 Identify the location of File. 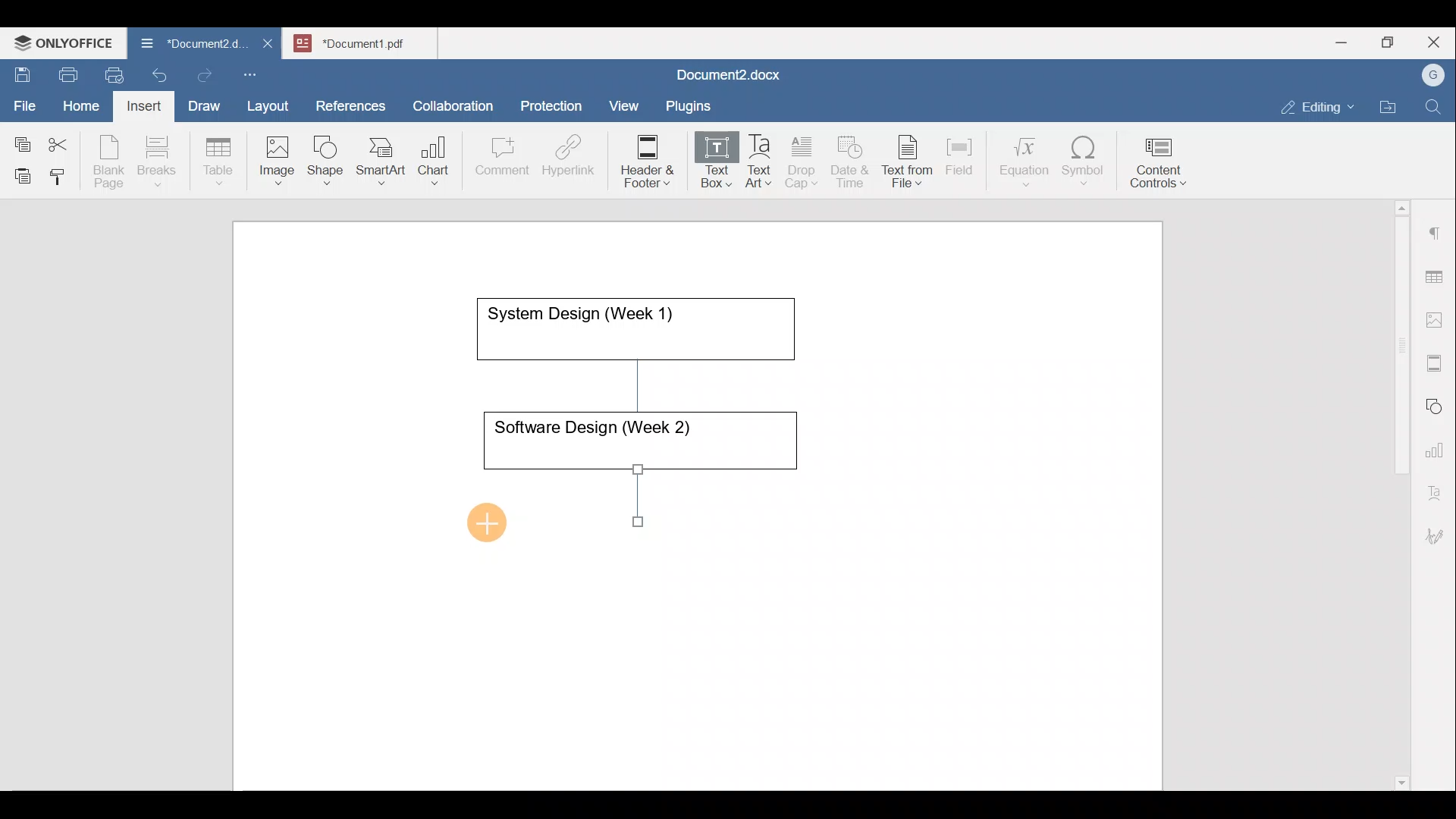
(26, 101).